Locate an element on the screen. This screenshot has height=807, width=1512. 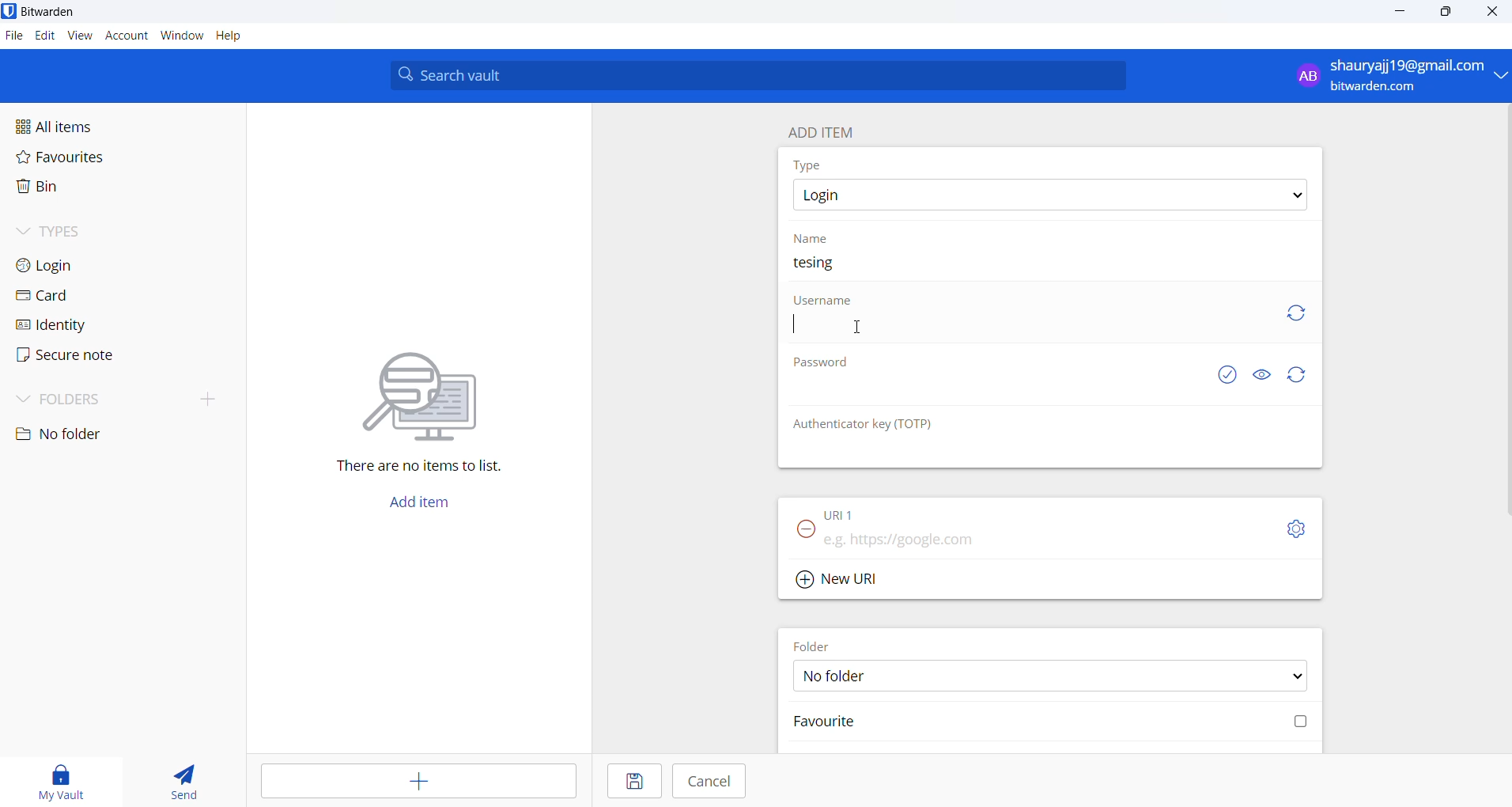
Password  is located at coordinates (826, 366).